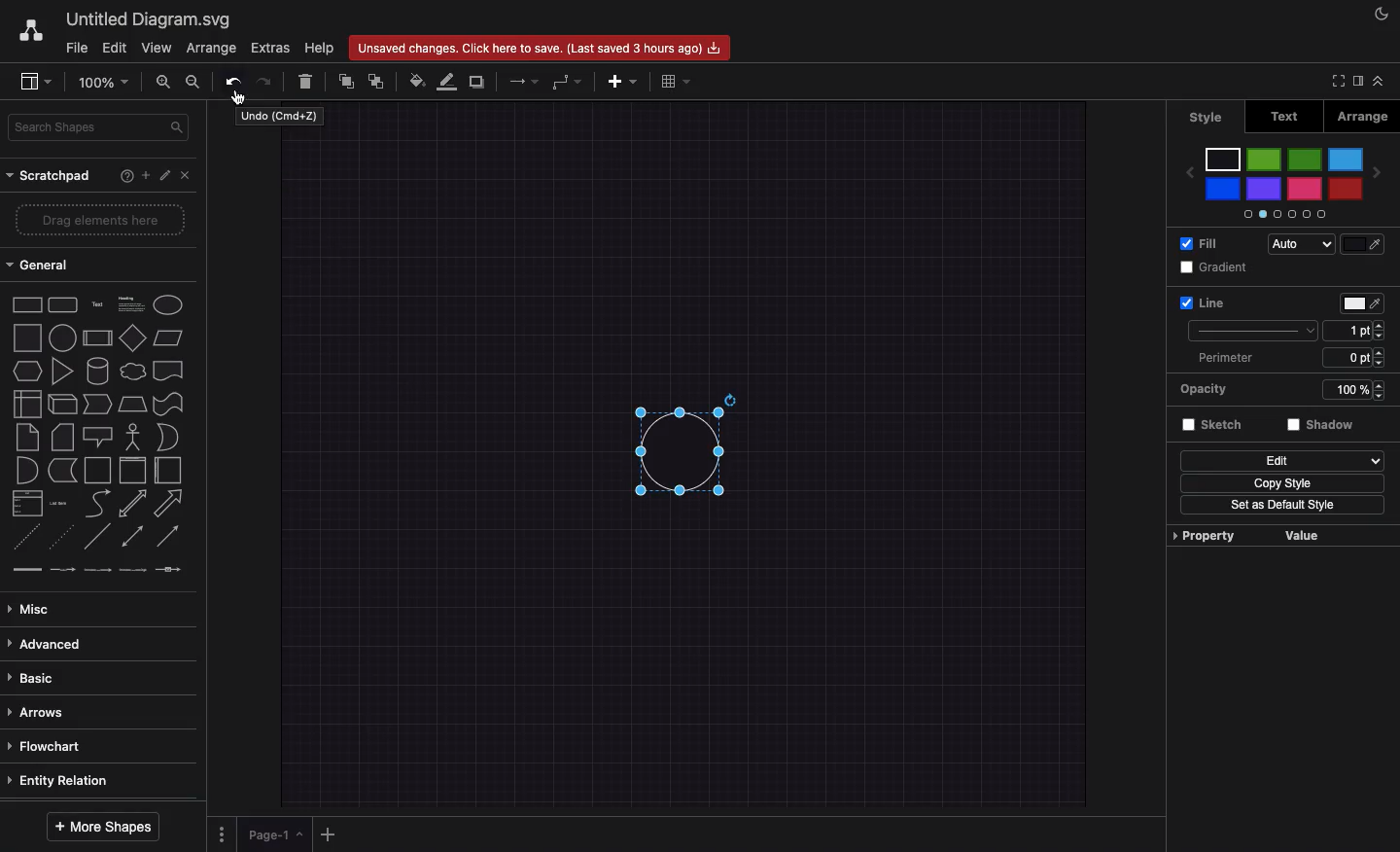 This screenshot has height=852, width=1400. What do you see at coordinates (75, 49) in the screenshot?
I see `File` at bounding box center [75, 49].